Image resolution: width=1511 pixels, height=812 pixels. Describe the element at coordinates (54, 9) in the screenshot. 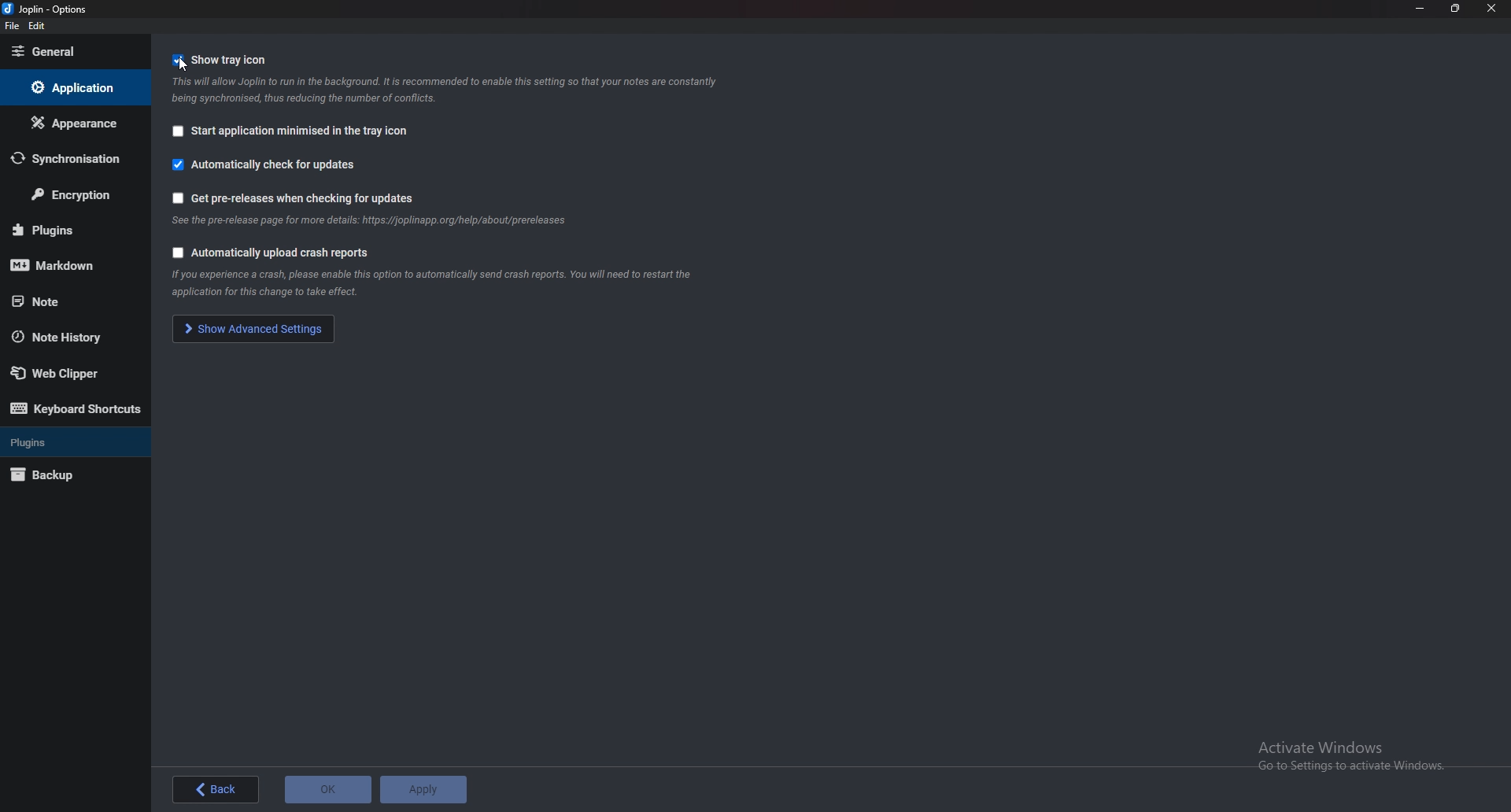

I see `joplin` at that location.